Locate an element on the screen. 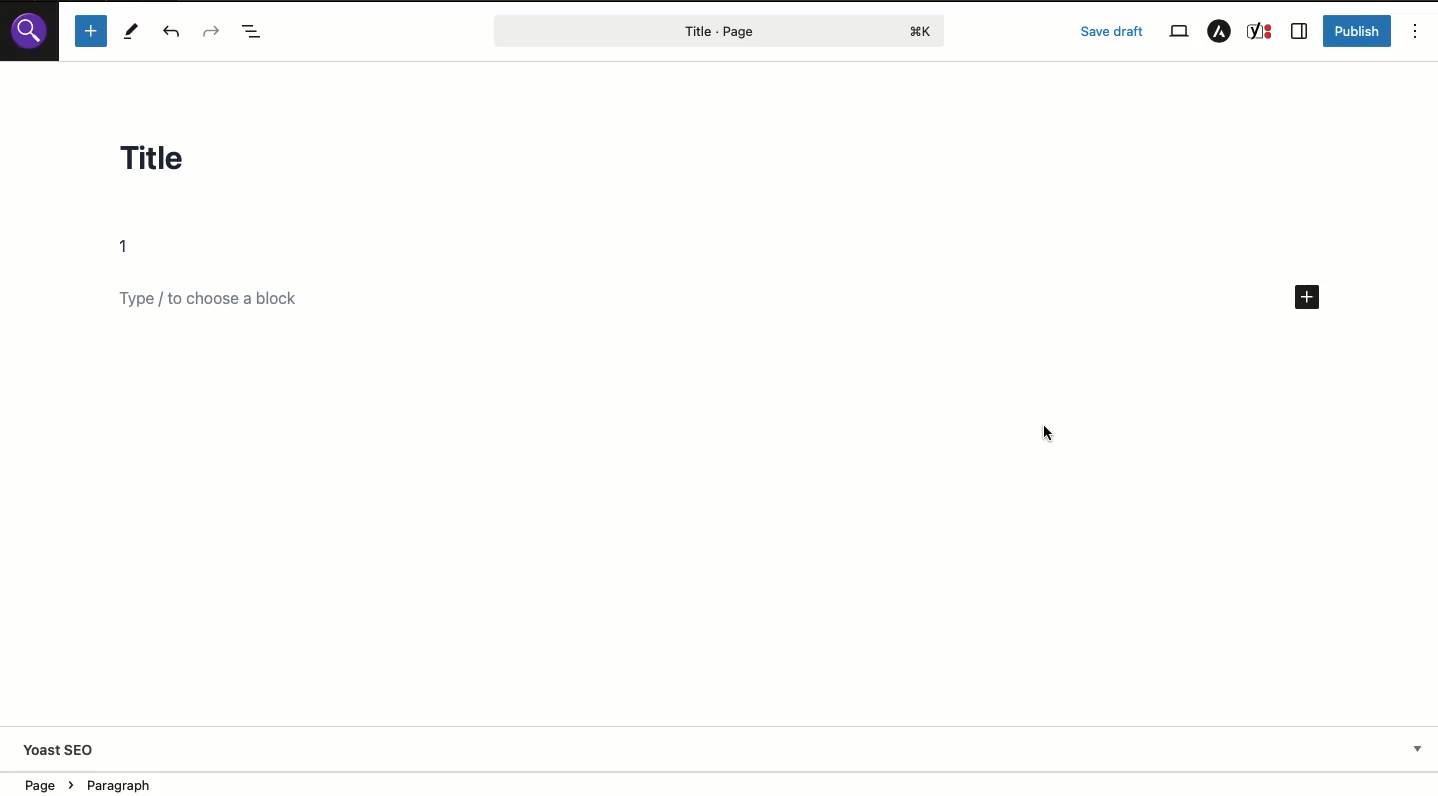  Save draft is located at coordinates (1112, 31).